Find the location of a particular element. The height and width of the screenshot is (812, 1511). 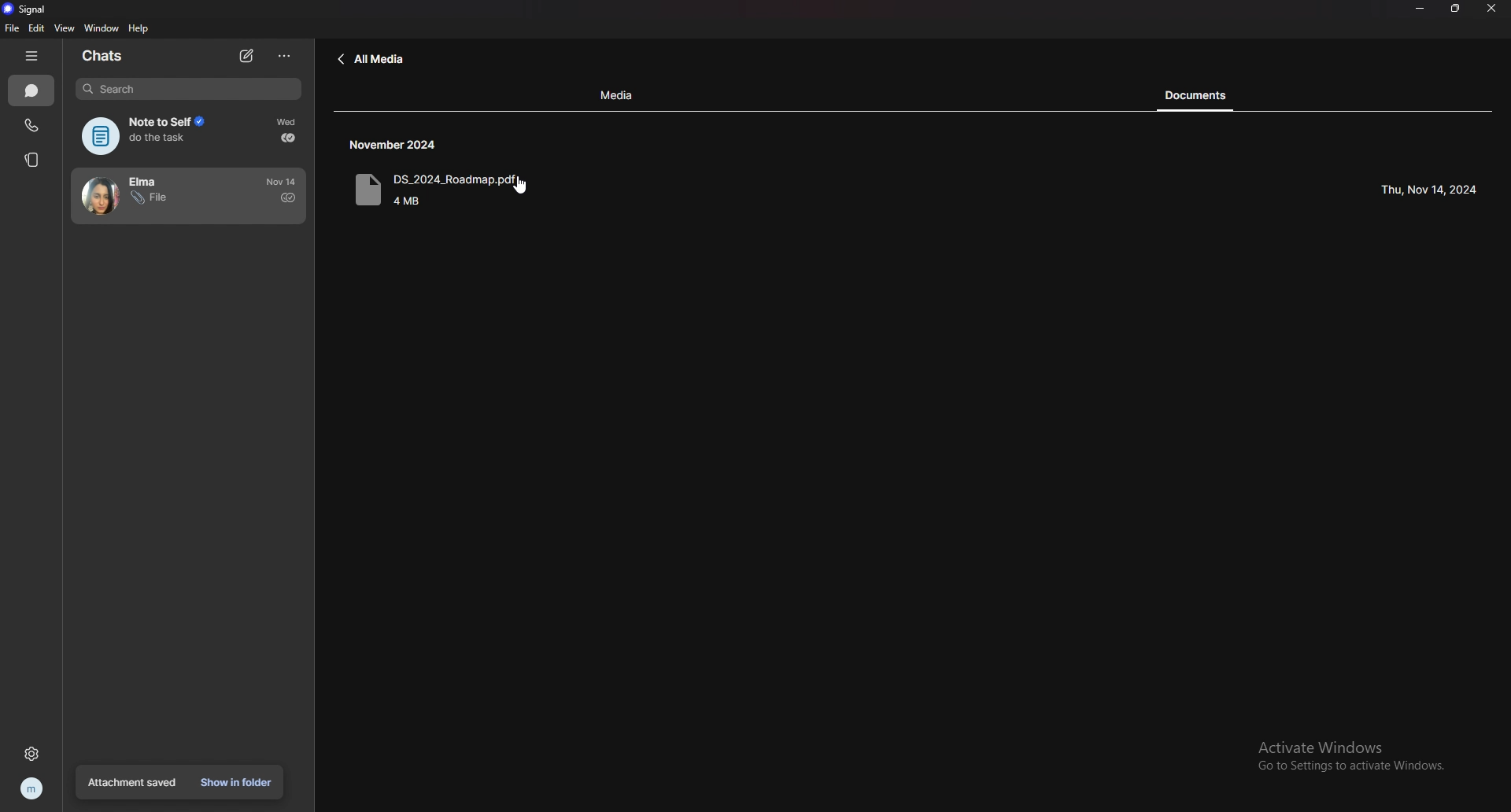

close is located at coordinates (1493, 8).